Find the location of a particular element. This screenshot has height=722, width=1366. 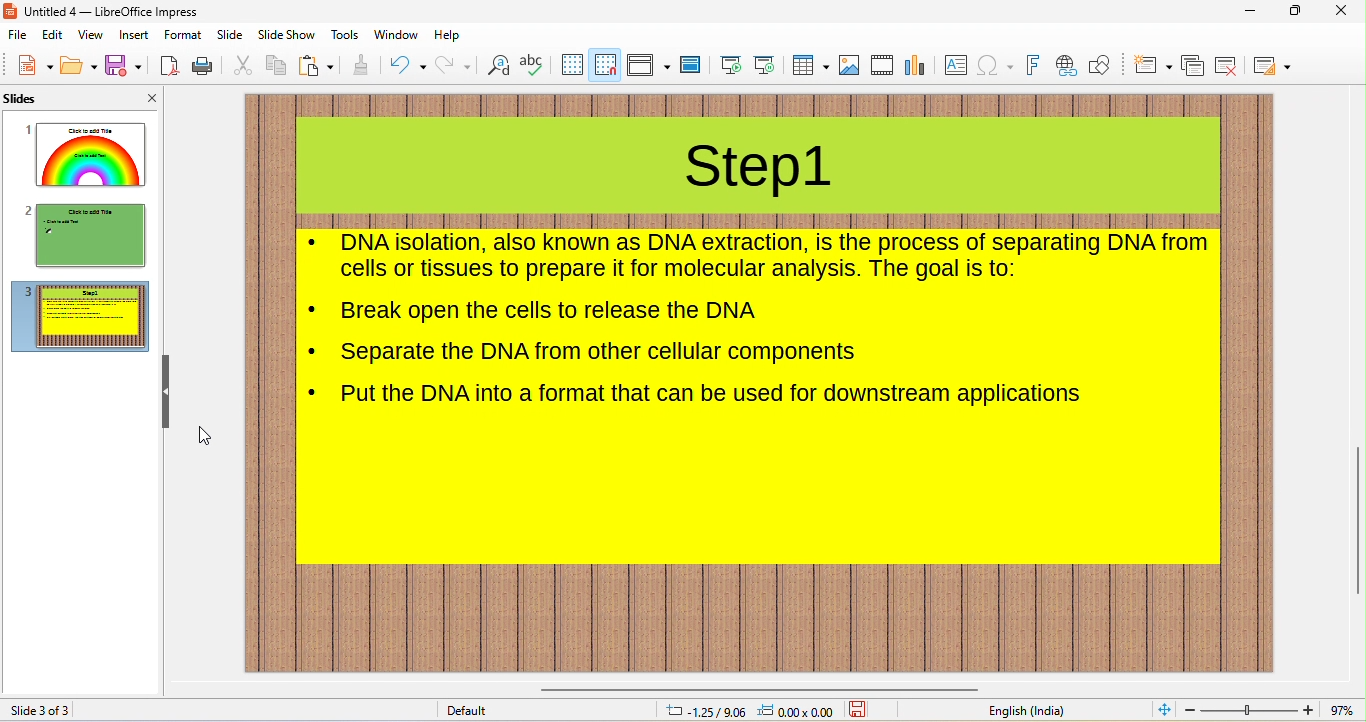

remove slide is located at coordinates (1228, 66).